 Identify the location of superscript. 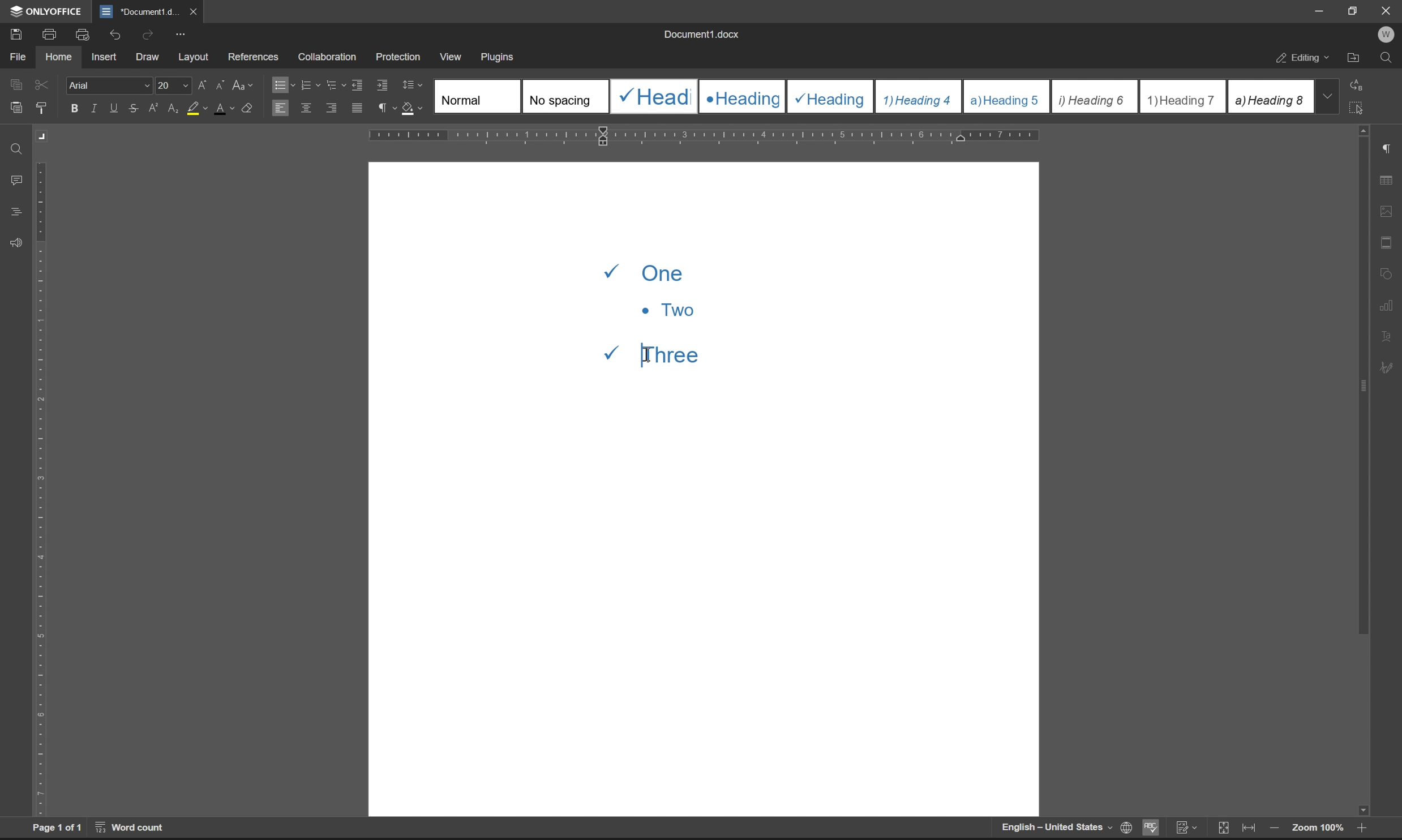
(155, 108).